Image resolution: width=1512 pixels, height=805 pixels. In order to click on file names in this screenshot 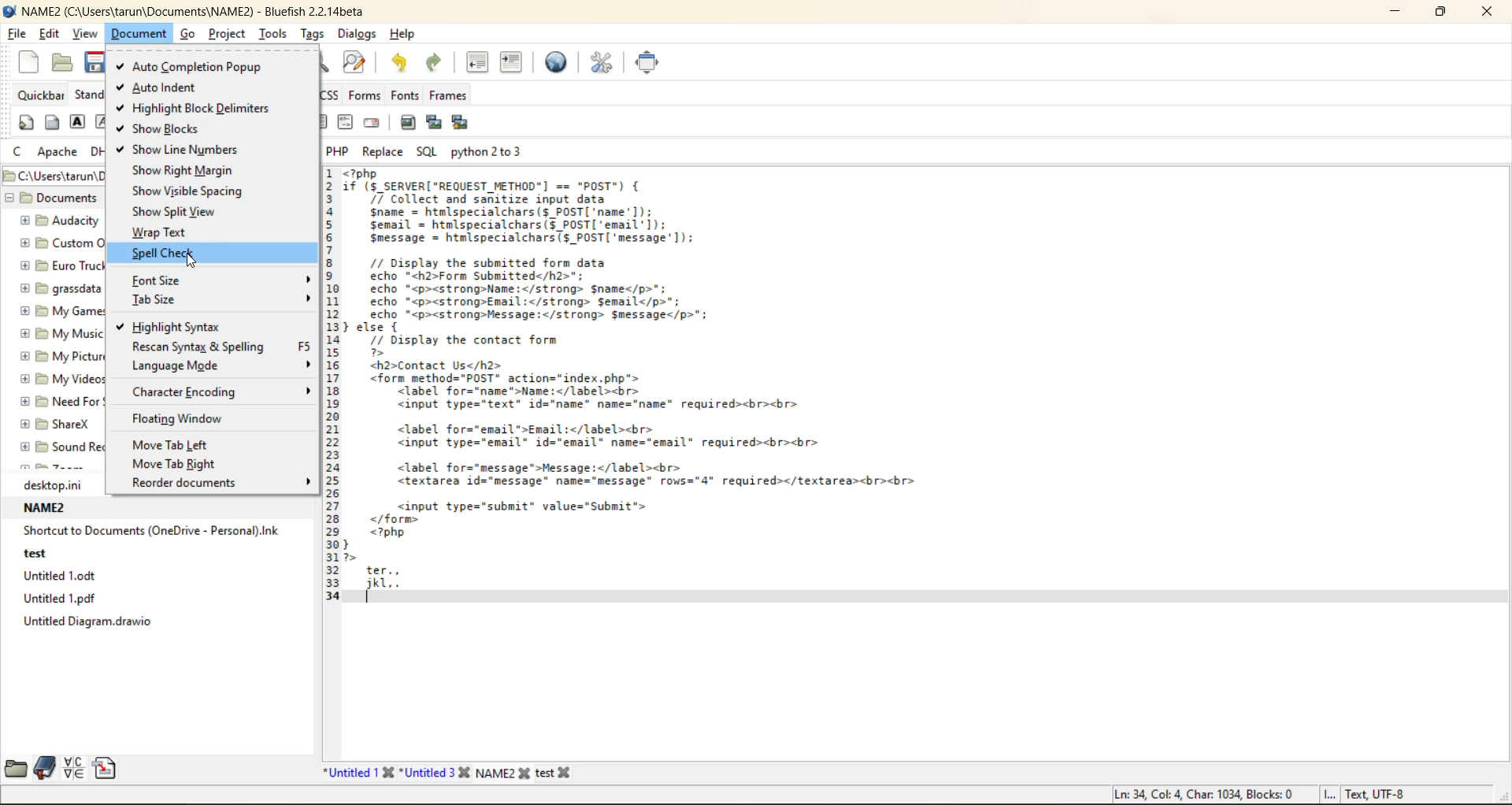, I will do `click(453, 773)`.